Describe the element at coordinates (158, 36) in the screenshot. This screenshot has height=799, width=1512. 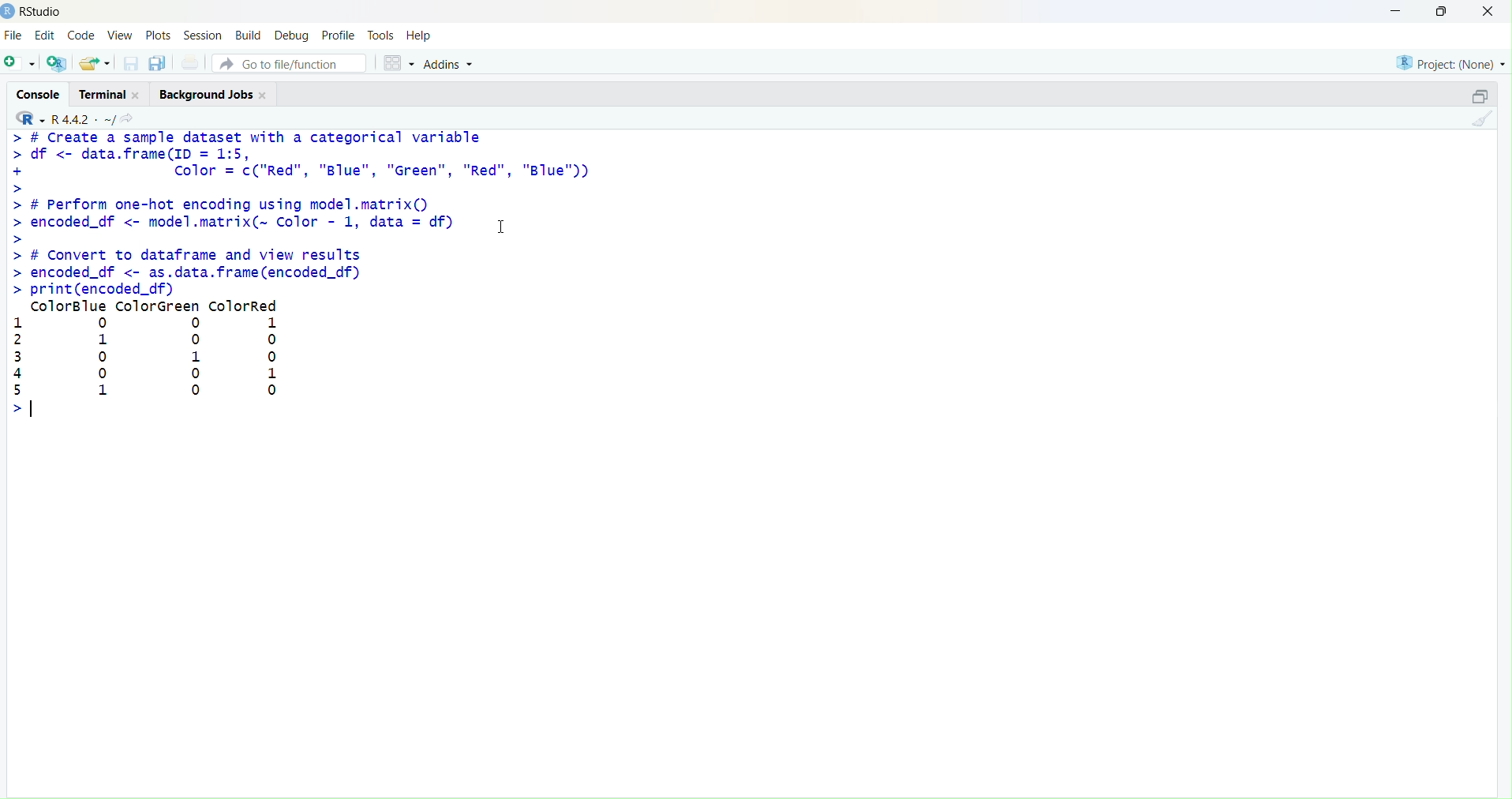
I see `plots` at that location.